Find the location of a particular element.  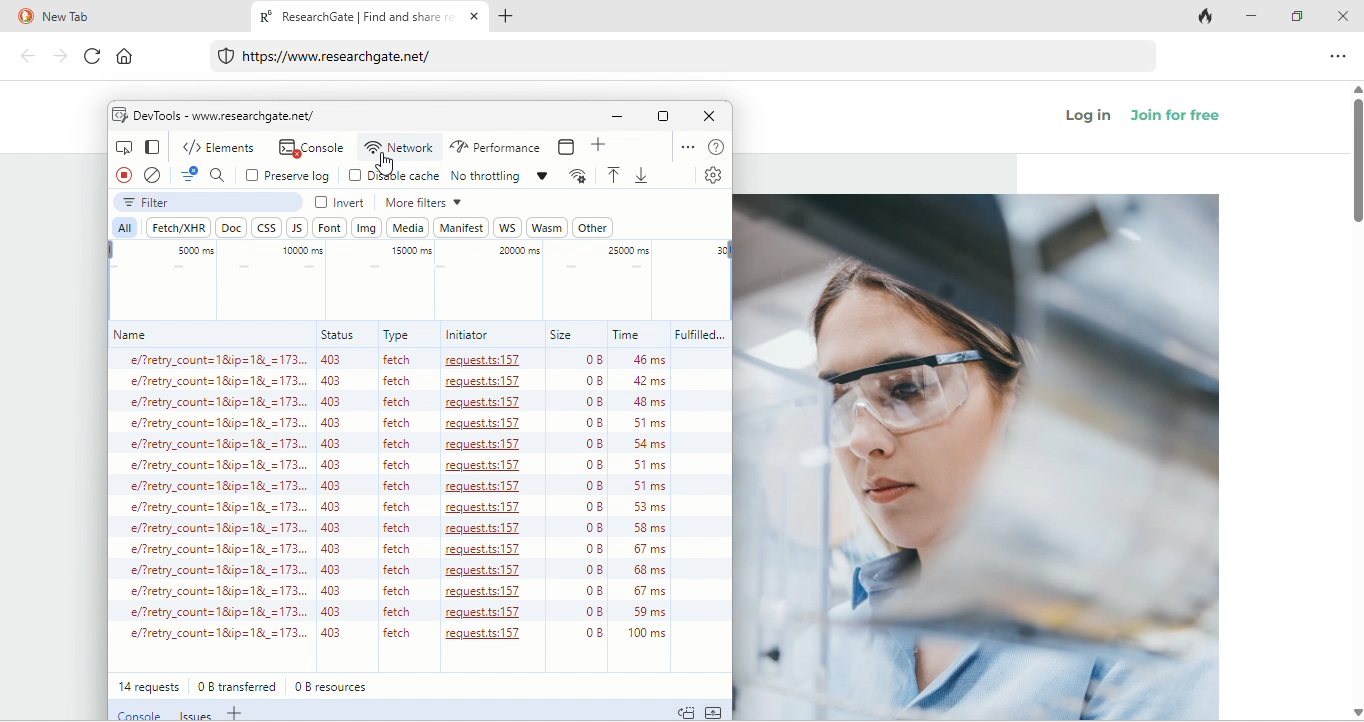

size is located at coordinates (562, 335).